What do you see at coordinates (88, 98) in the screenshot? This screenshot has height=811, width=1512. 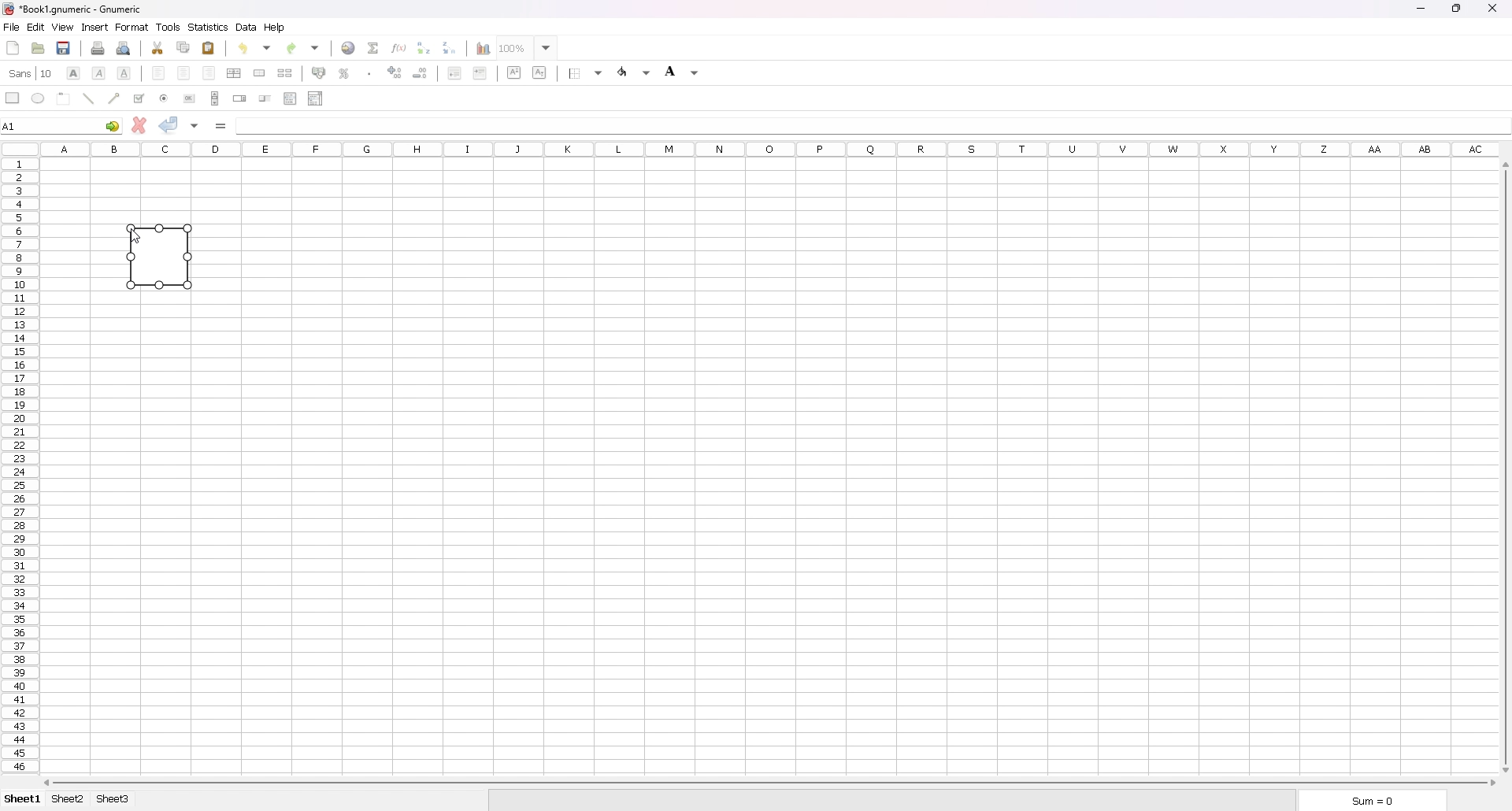 I see `line` at bounding box center [88, 98].